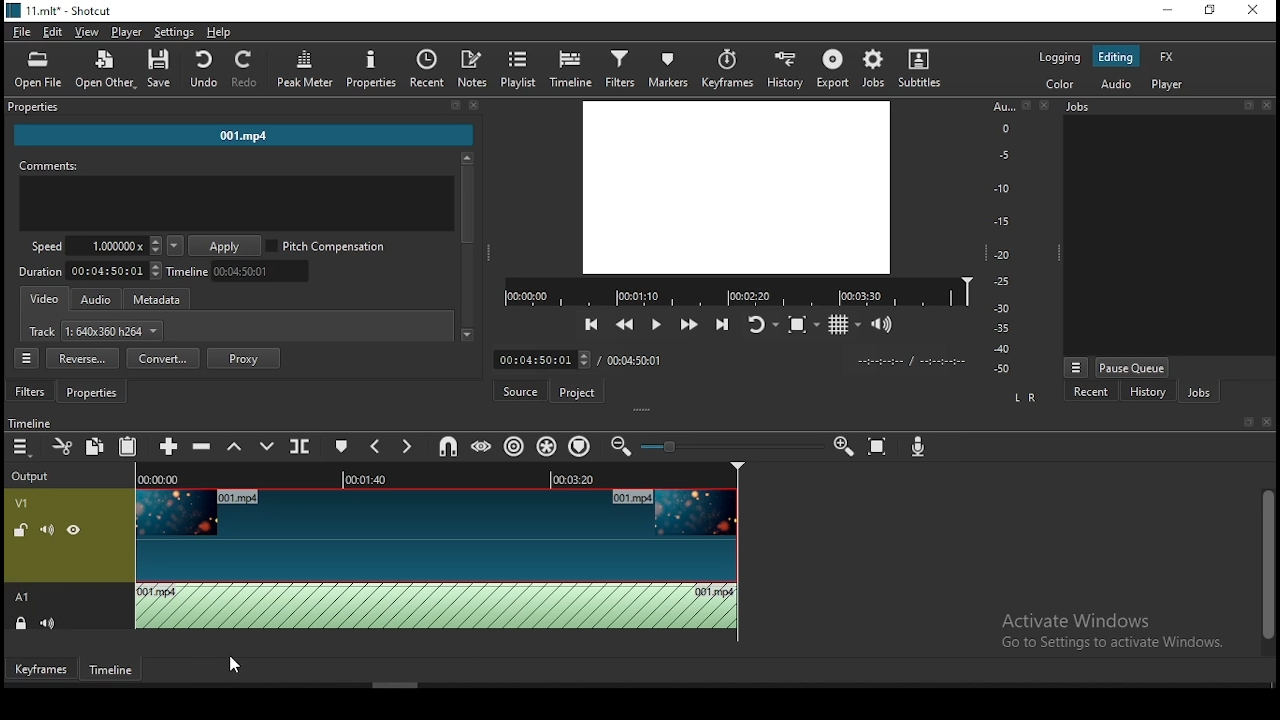  Describe the element at coordinates (23, 502) in the screenshot. I see `v1` at that location.